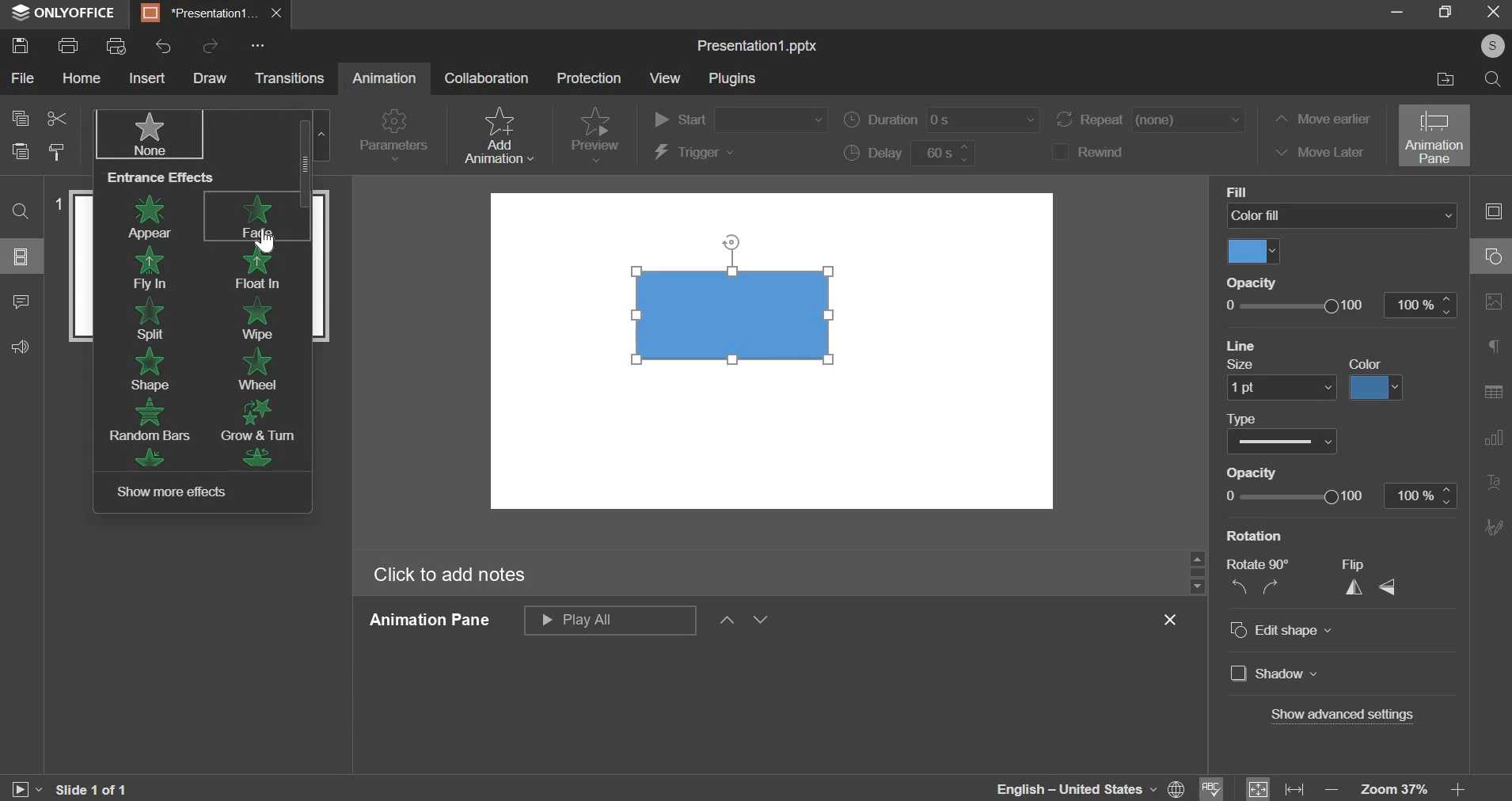 The height and width of the screenshot is (801, 1512). Describe the element at coordinates (96, 787) in the screenshot. I see `Slide 1 0f 1` at that location.